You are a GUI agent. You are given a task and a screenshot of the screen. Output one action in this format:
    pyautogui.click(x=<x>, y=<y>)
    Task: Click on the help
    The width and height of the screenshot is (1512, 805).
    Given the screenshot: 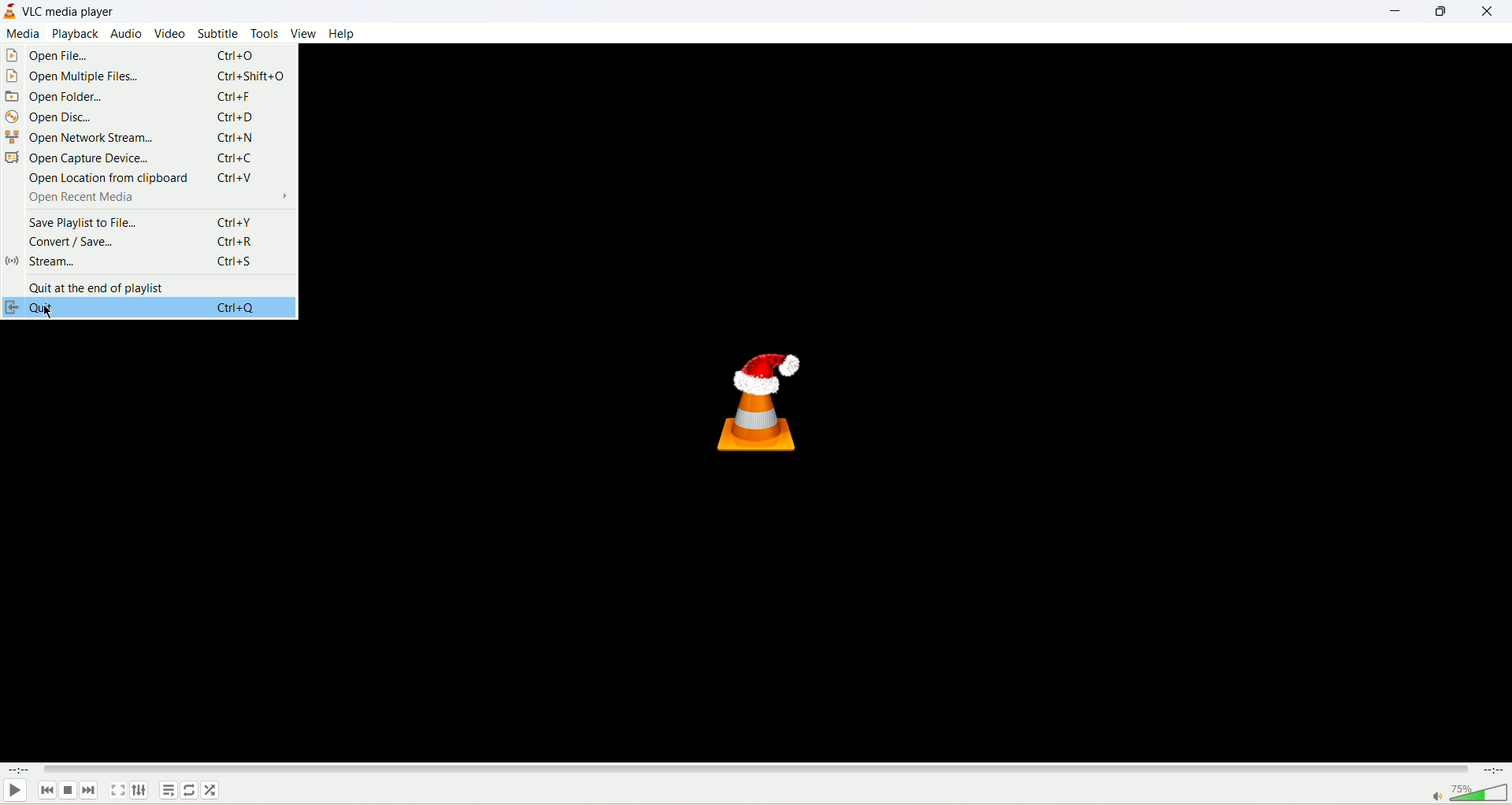 What is the action you would take?
    pyautogui.click(x=345, y=34)
    